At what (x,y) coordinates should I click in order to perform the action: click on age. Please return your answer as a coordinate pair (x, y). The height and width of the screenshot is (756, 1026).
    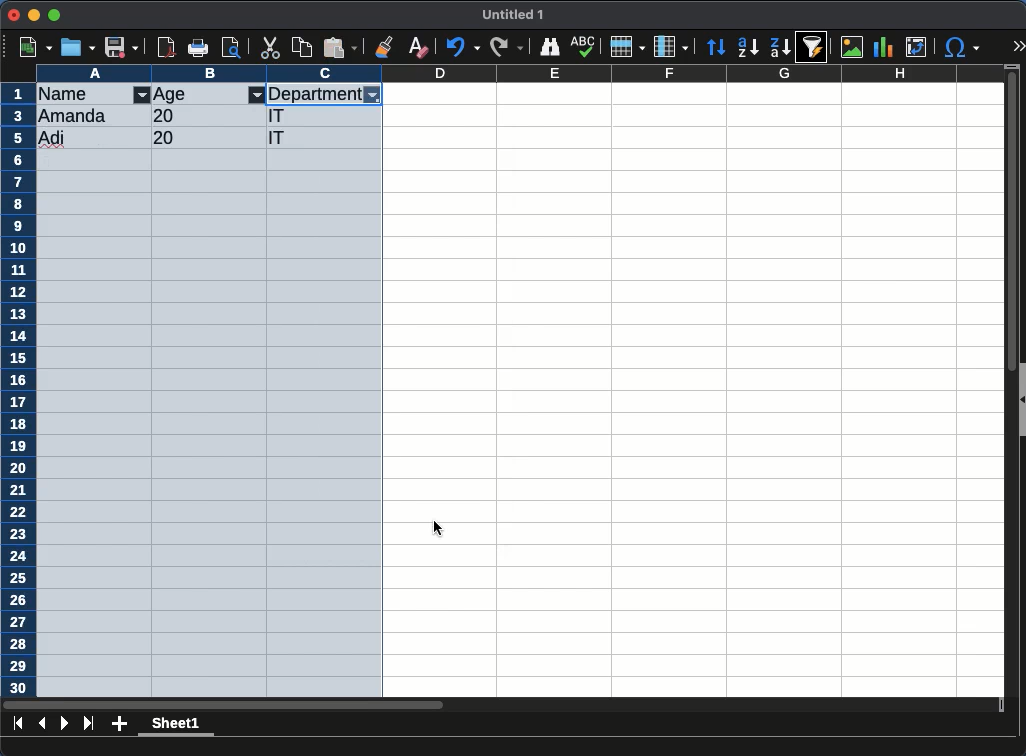
    Looking at the image, I should click on (173, 95).